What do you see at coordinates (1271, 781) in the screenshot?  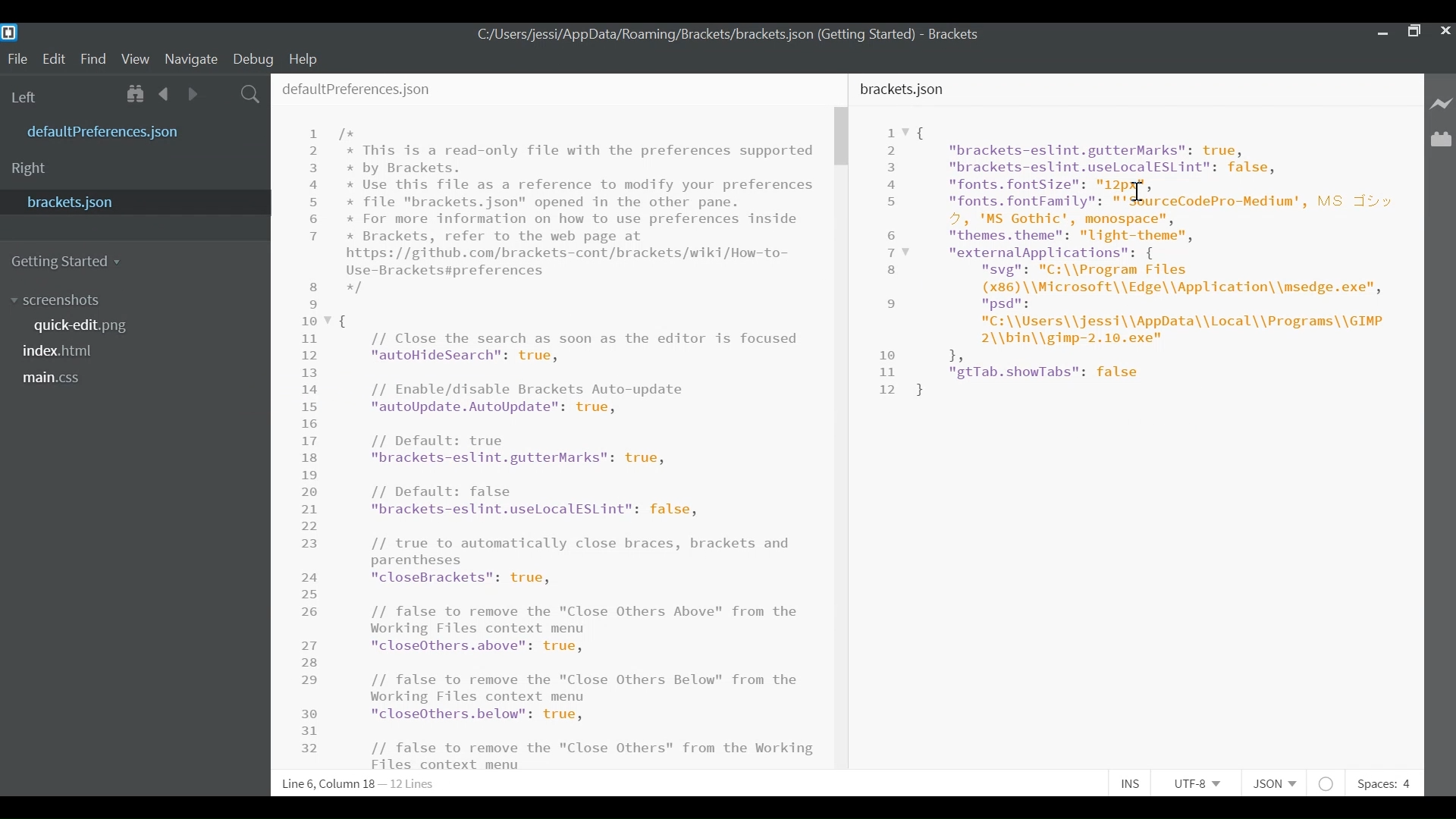 I see `JSON` at bounding box center [1271, 781].